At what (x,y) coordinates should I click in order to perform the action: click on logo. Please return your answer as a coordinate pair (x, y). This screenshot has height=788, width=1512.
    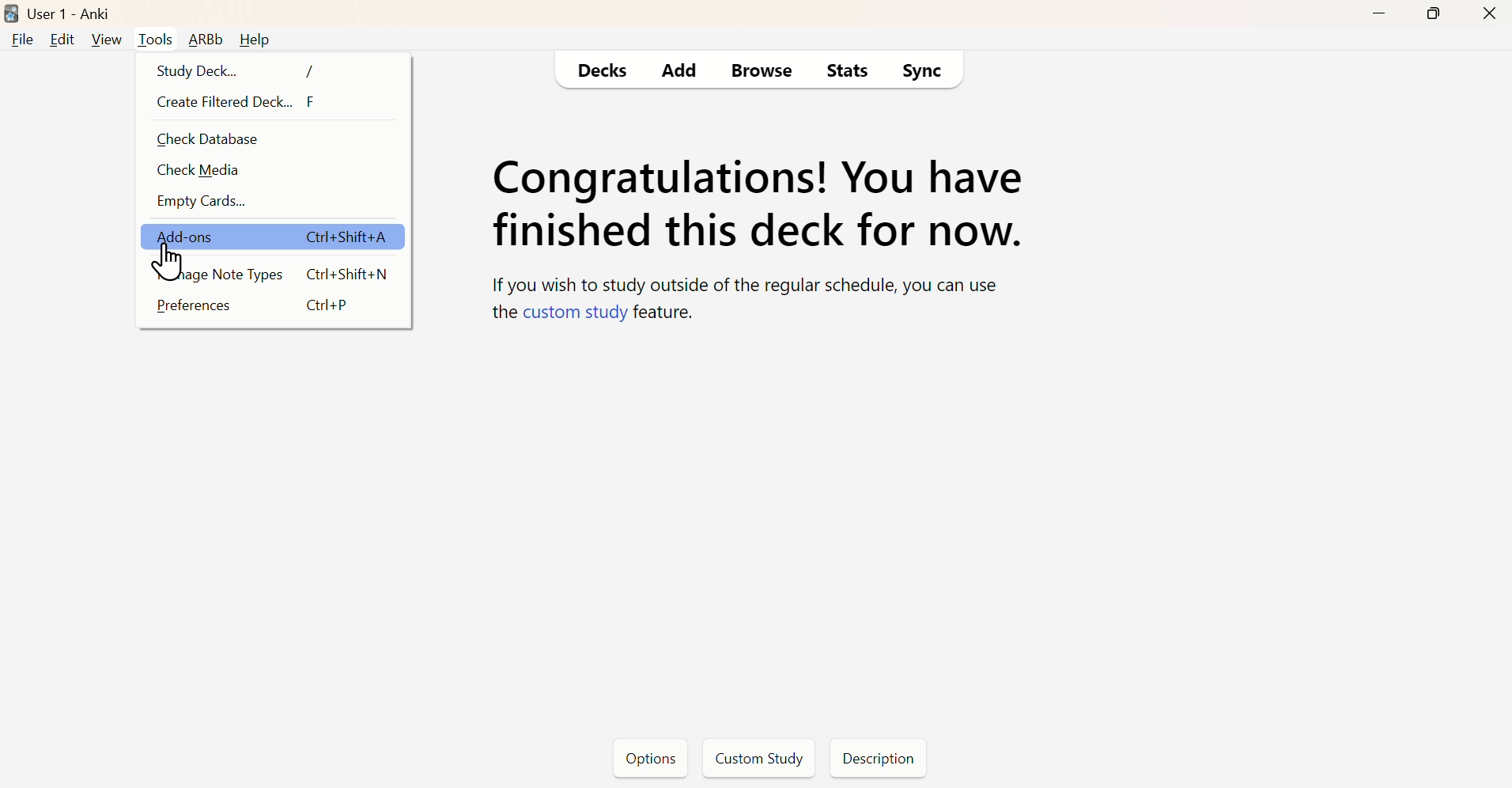
    Looking at the image, I should click on (11, 13).